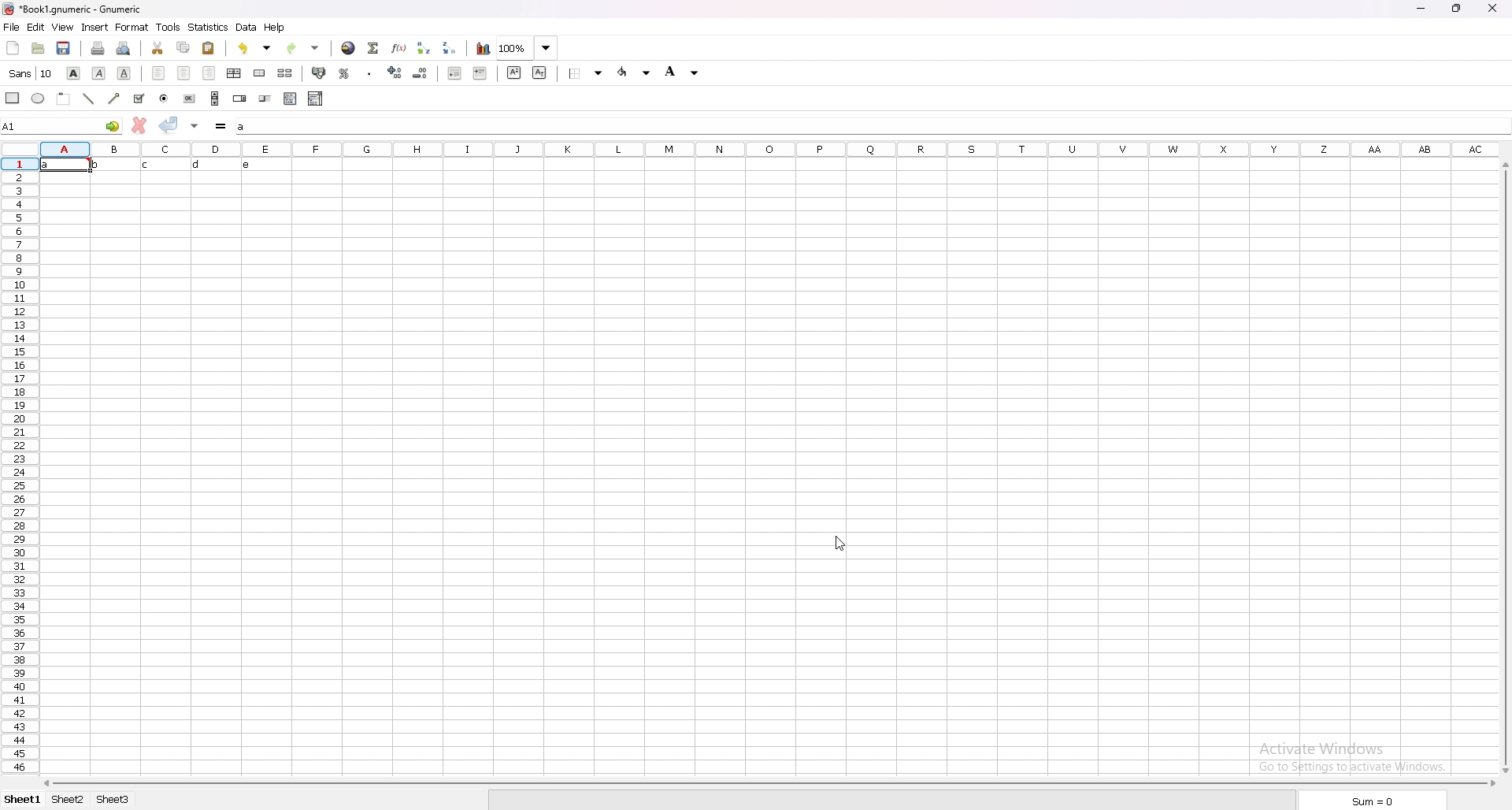  Describe the element at coordinates (399, 48) in the screenshot. I see `function` at that location.